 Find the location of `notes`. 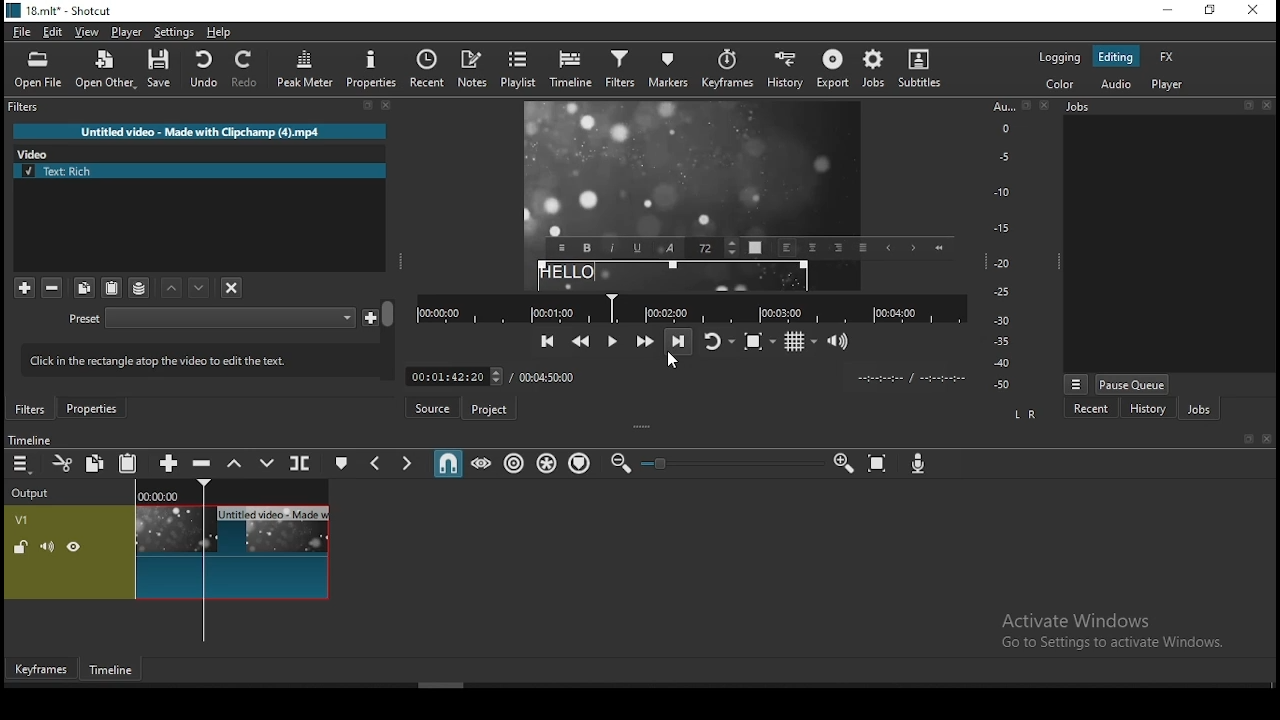

notes is located at coordinates (473, 70).